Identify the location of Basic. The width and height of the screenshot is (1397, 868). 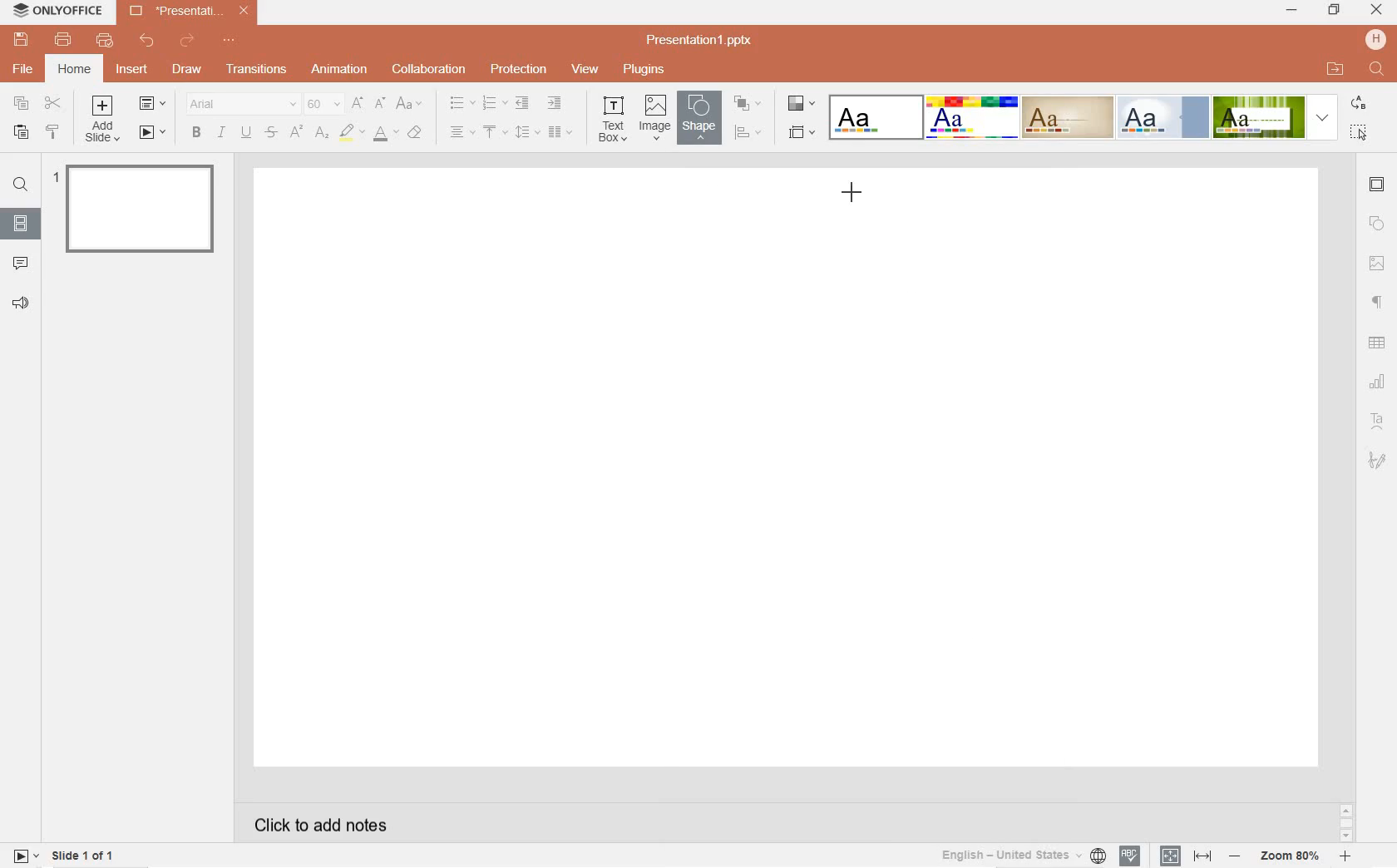
(972, 117).